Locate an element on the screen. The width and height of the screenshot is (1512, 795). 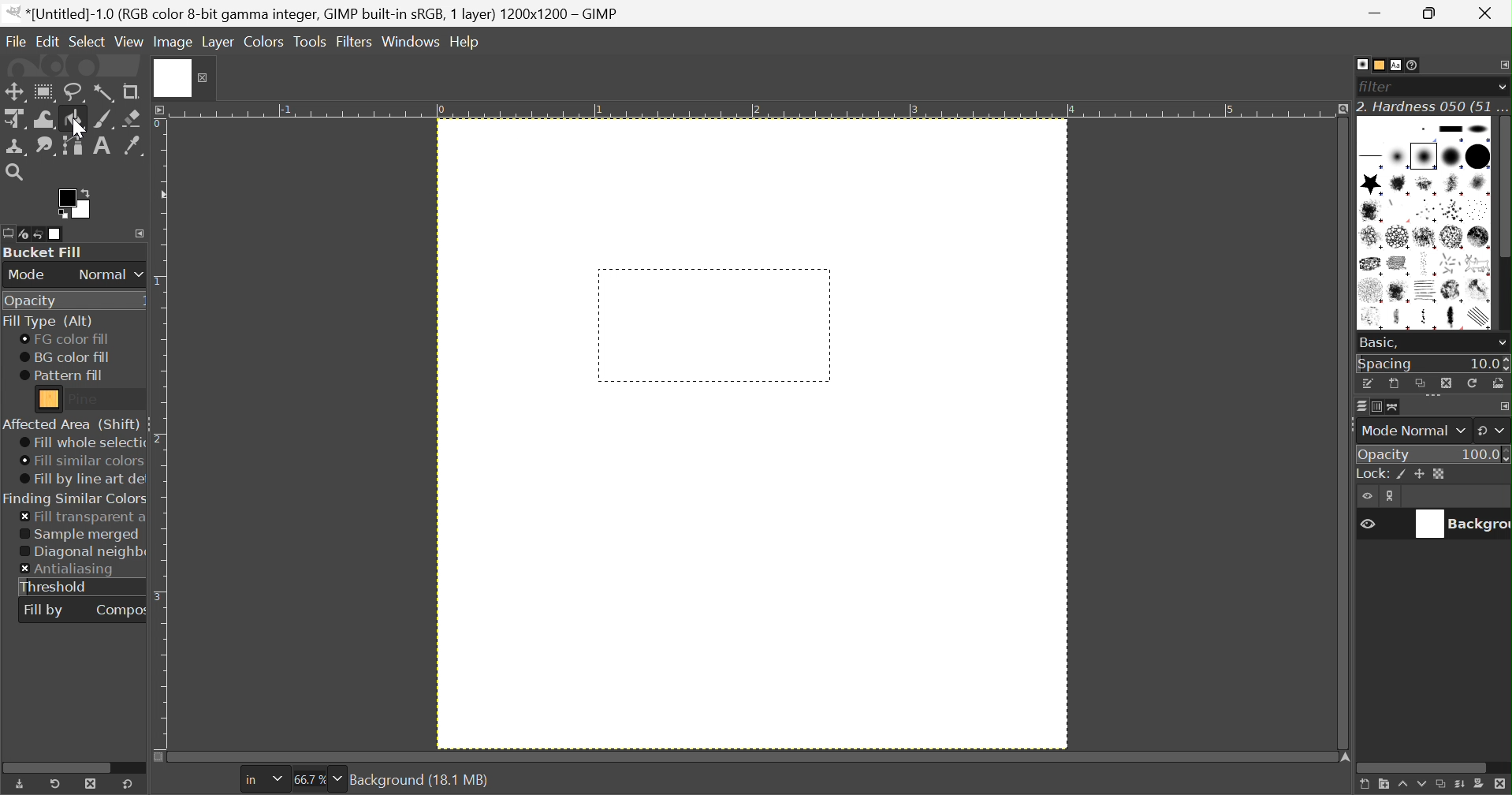
Acrylic 03 is located at coordinates (1454, 185).